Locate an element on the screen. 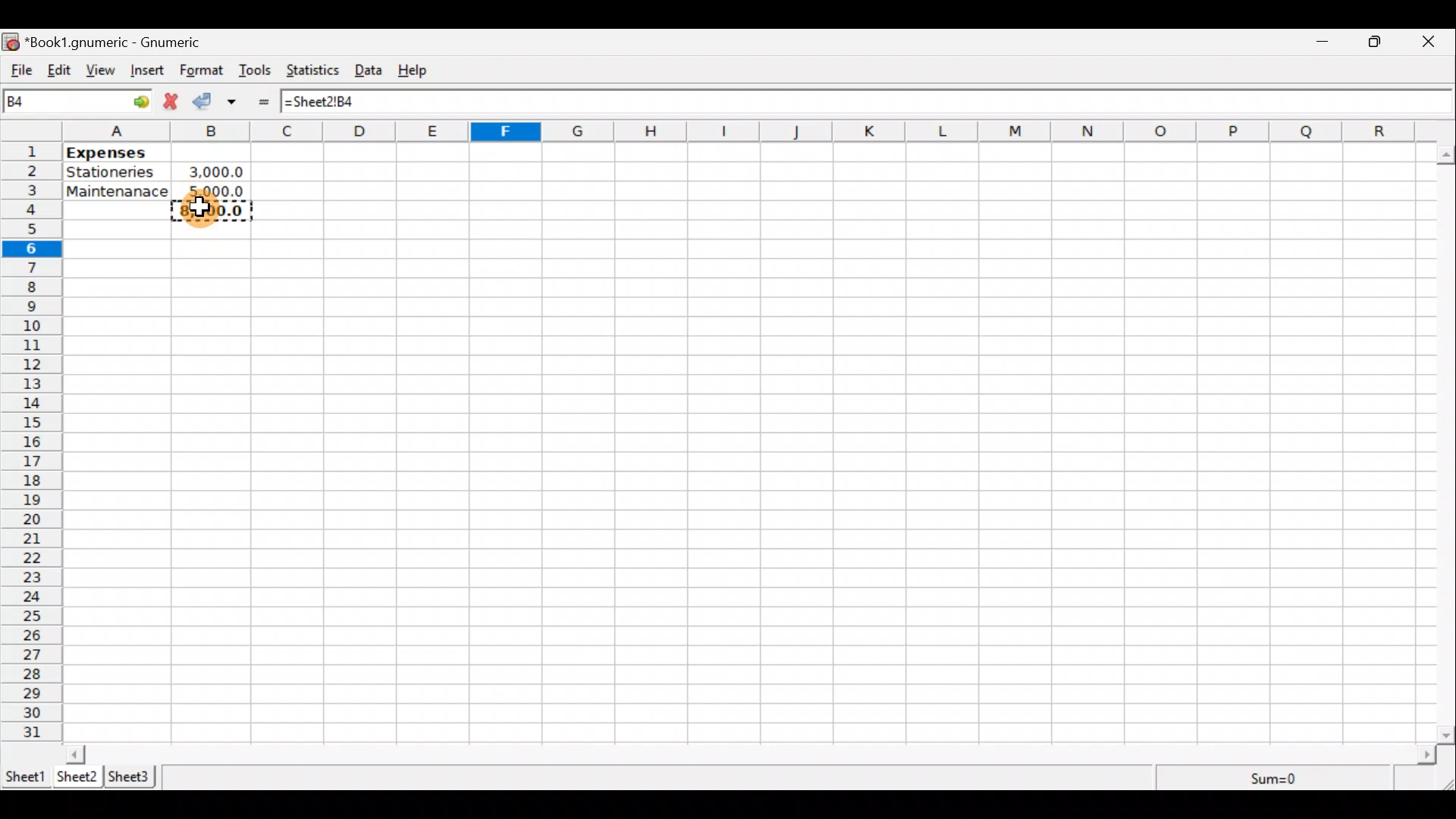 Image resolution: width=1456 pixels, height=819 pixels. Scroll bar is located at coordinates (1447, 441).